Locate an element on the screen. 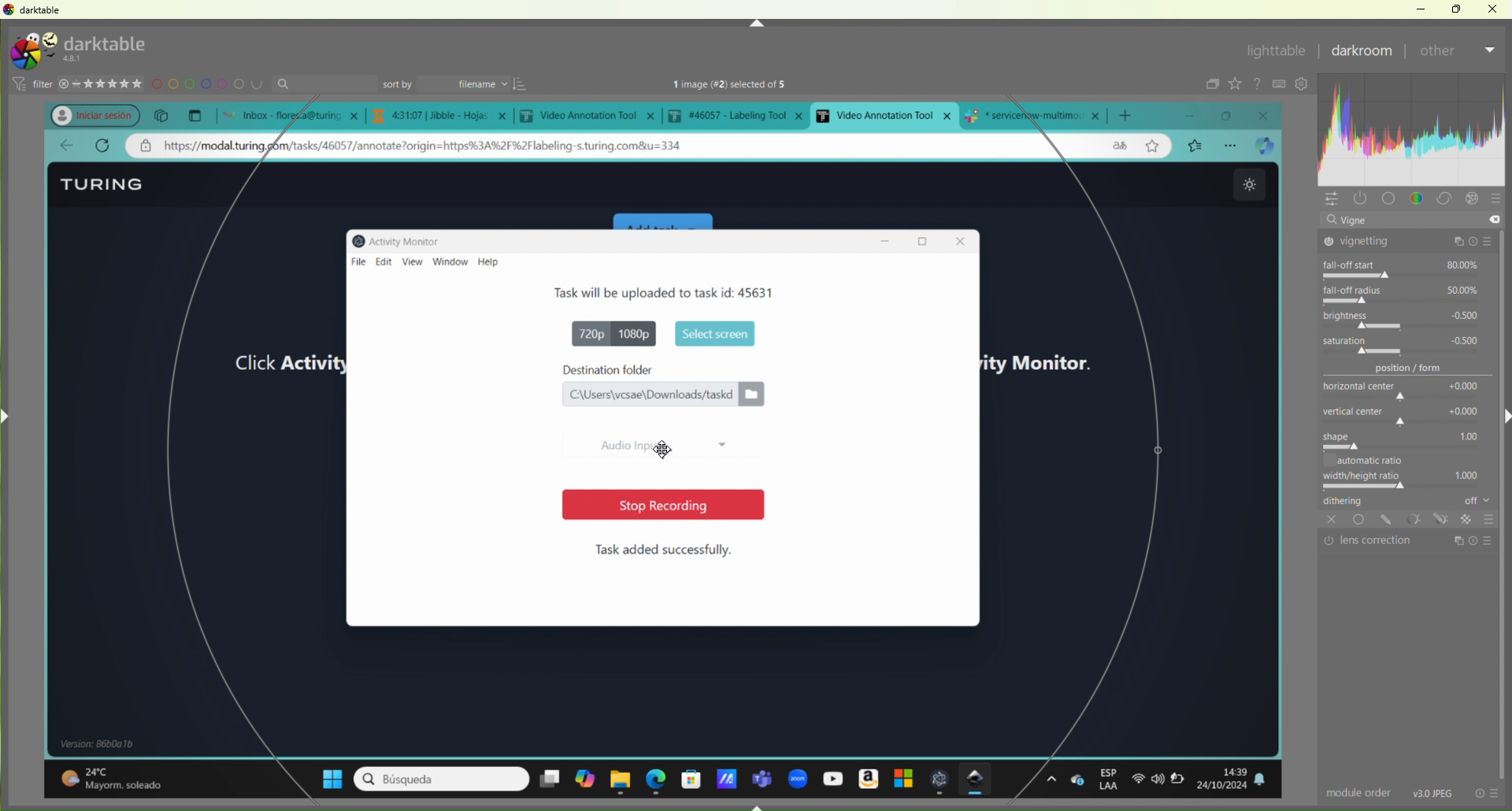 This screenshot has width=1512, height=811. horizontal center is located at coordinates (1409, 386).